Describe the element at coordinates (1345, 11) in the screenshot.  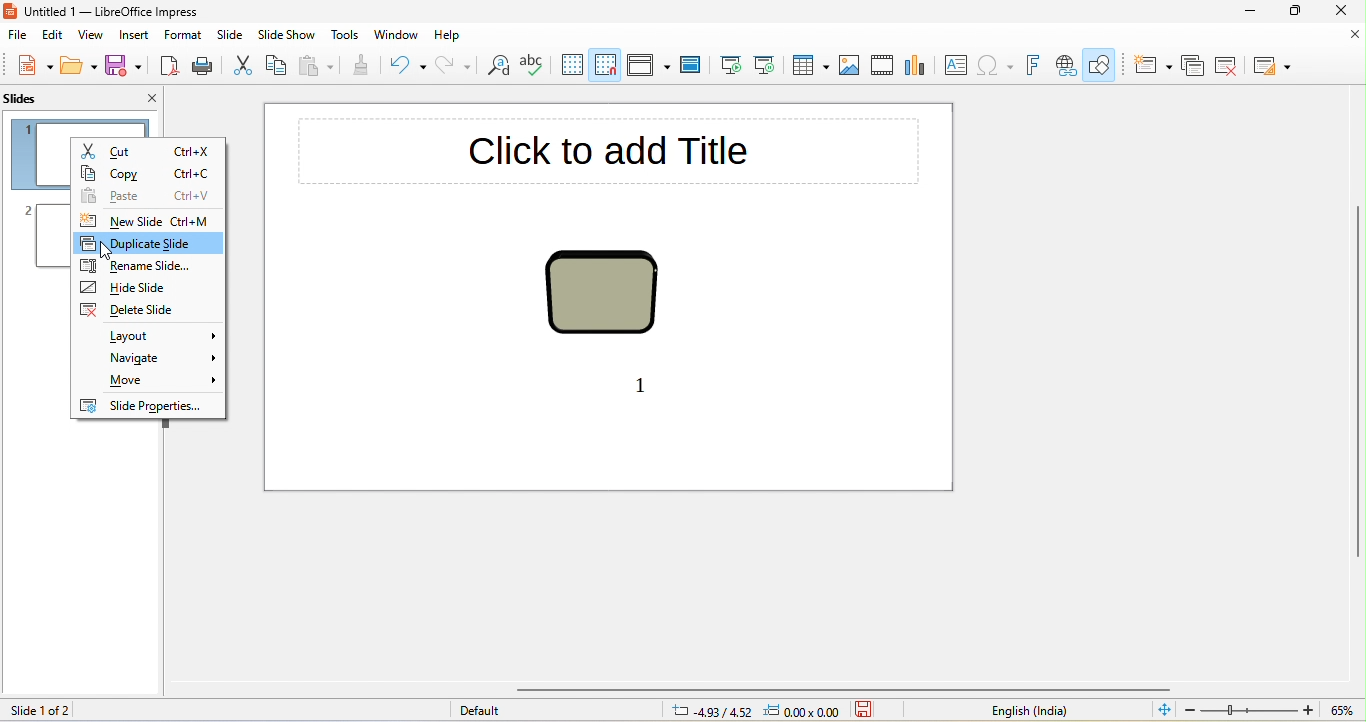
I see `close` at that location.